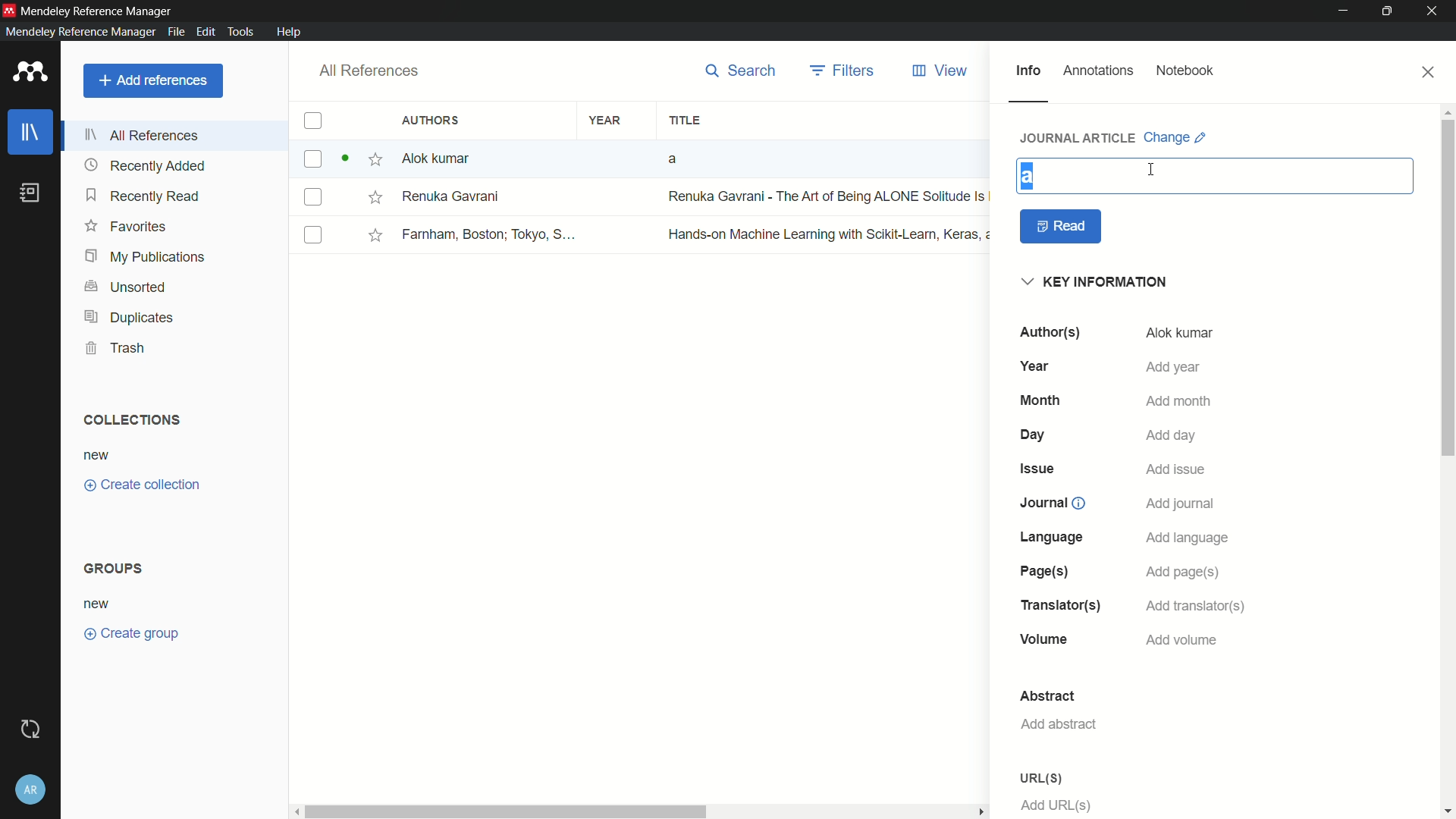 The image size is (1456, 819). What do you see at coordinates (1047, 696) in the screenshot?
I see `abstract` at bounding box center [1047, 696].